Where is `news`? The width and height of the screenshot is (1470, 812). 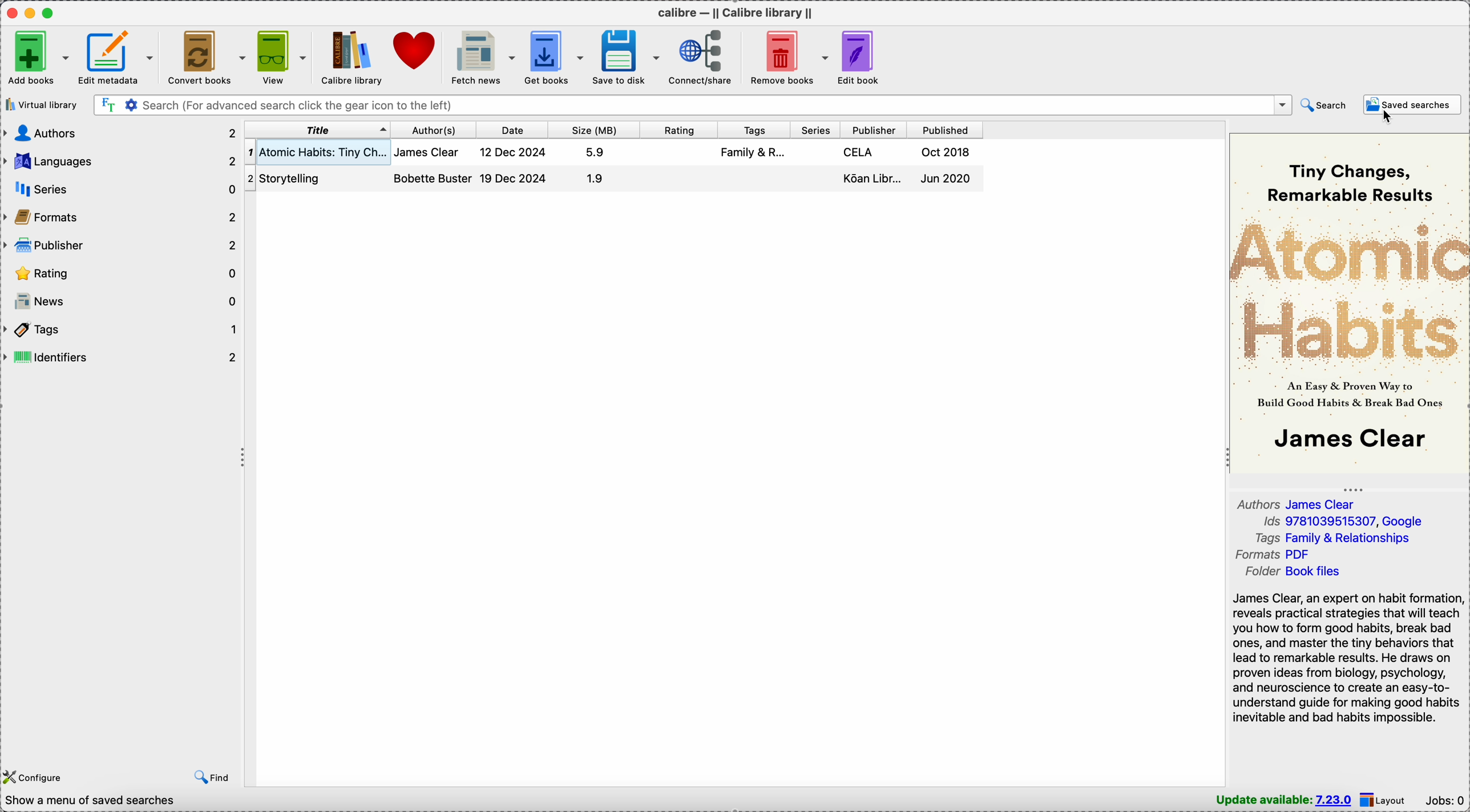 news is located at coordinates (123, 300).